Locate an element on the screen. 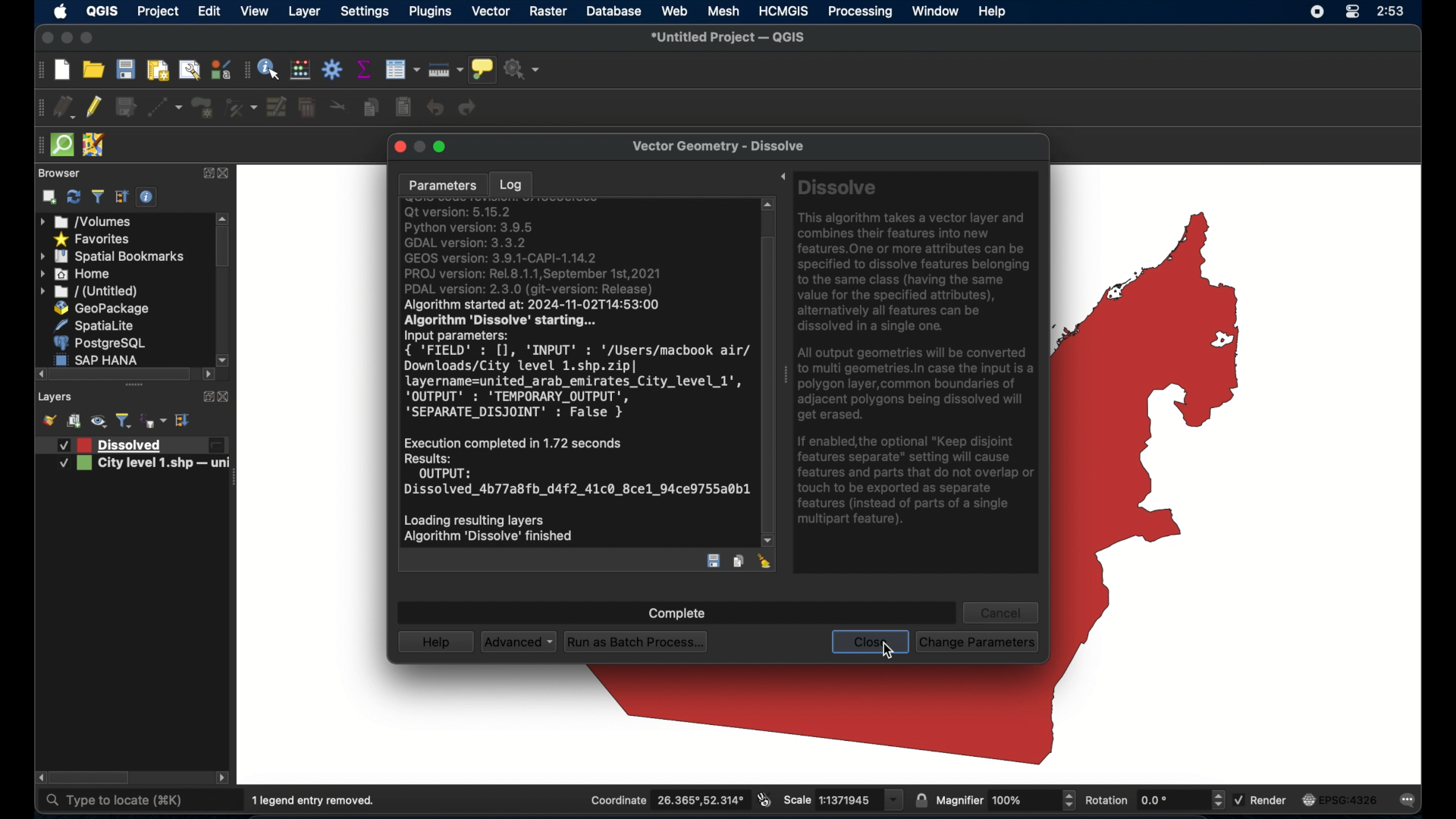  open layout manager is located at coordinates (188, 71).